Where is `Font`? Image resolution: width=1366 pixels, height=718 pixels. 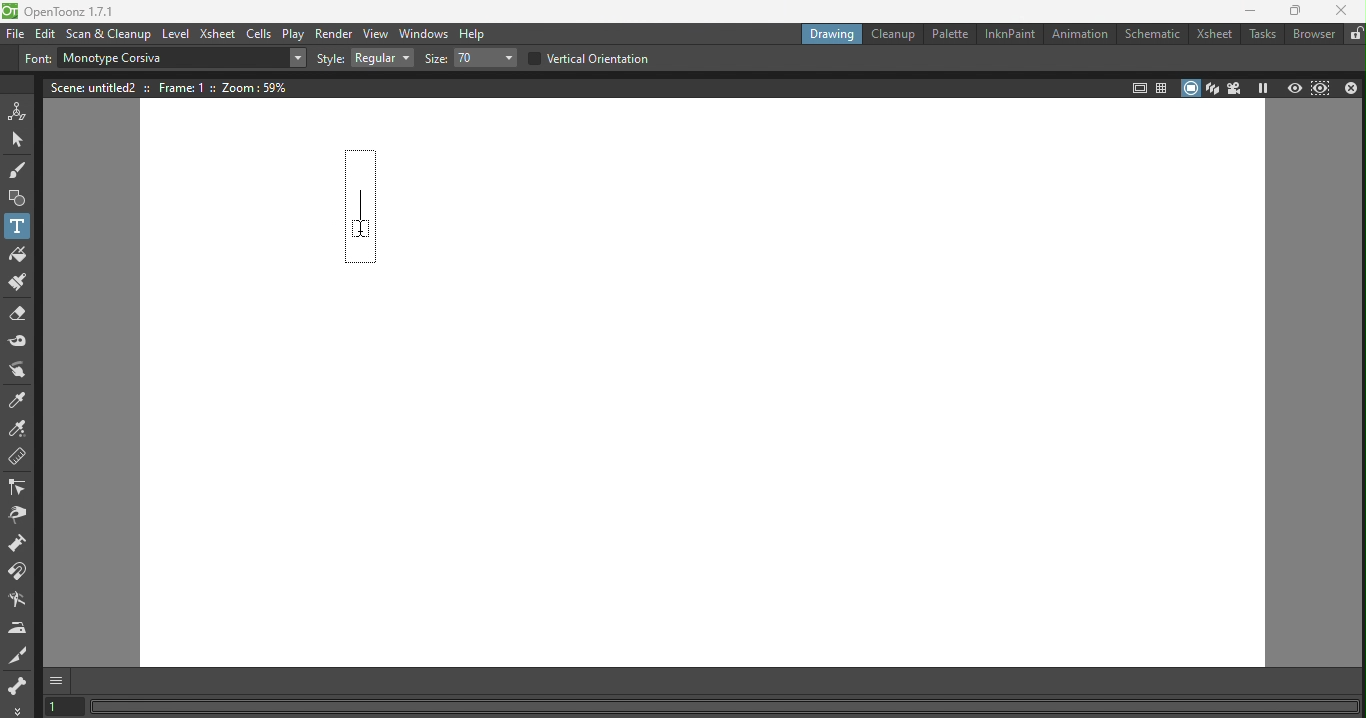 Font is located at coordinates (35, 58).